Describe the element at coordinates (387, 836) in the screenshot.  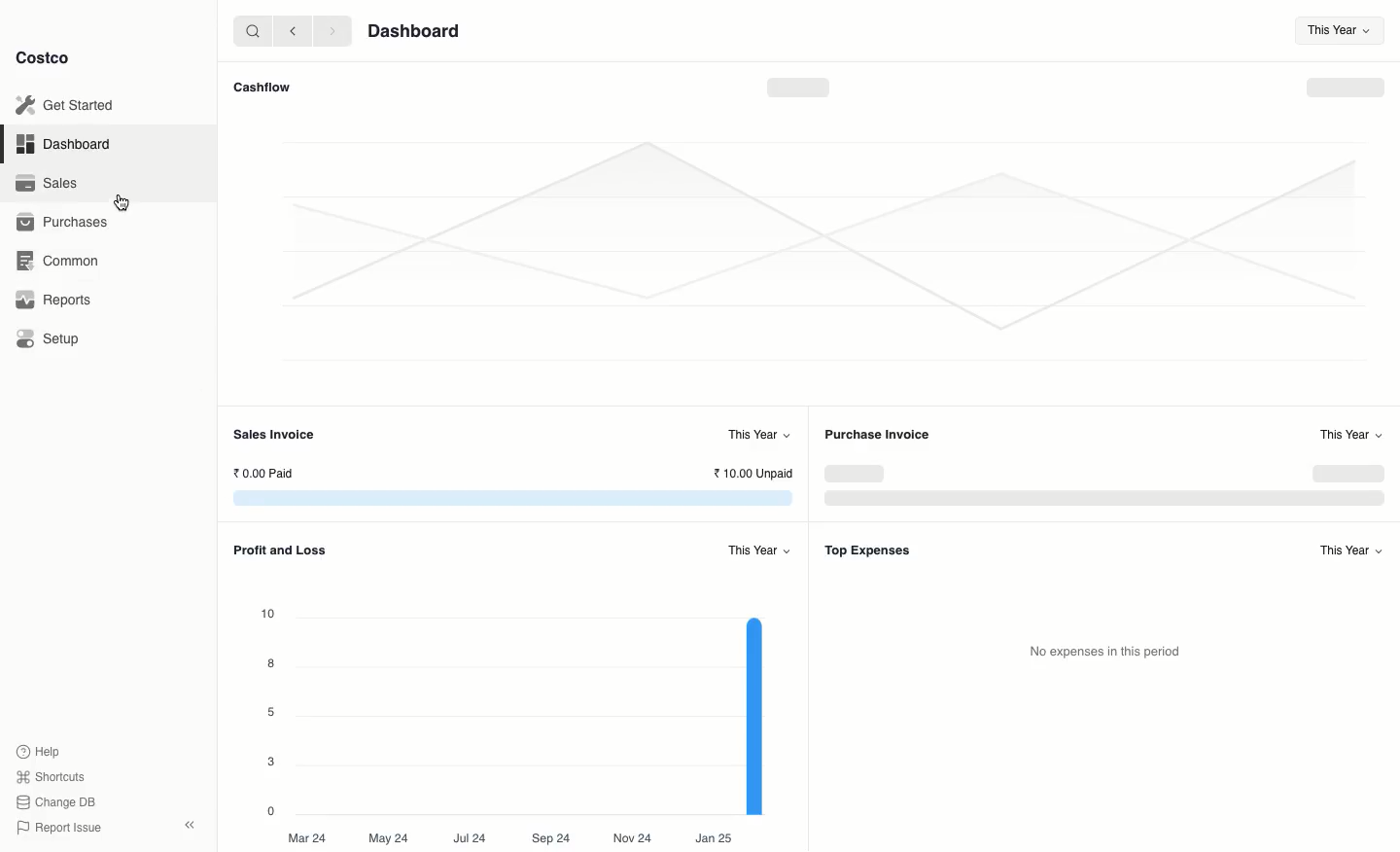
I see `May 24` at that location.